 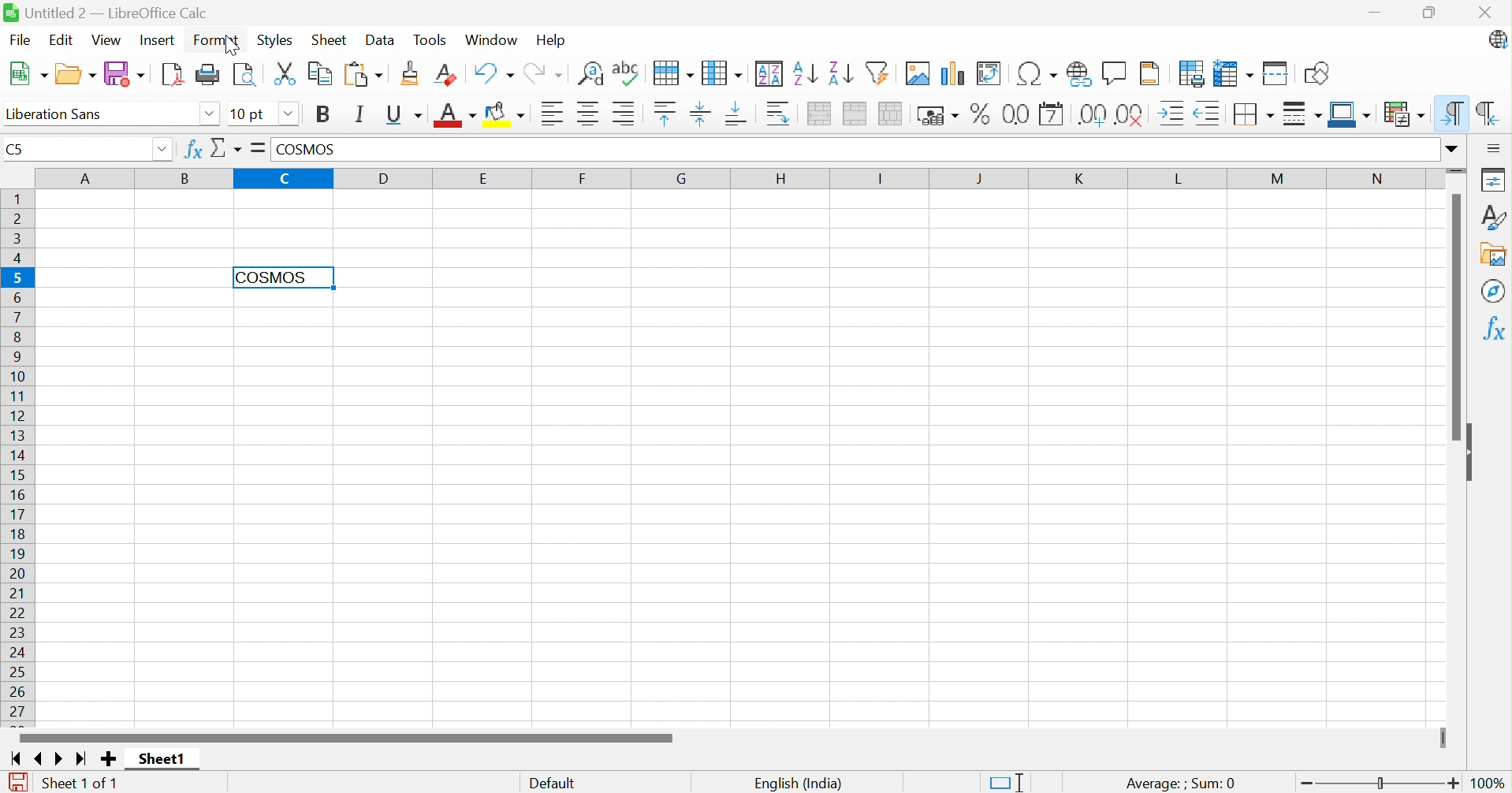 What do you see at coordinates (920, 73) in the screenshot?
I see `Insert Image` at bounding box center [920, 73].